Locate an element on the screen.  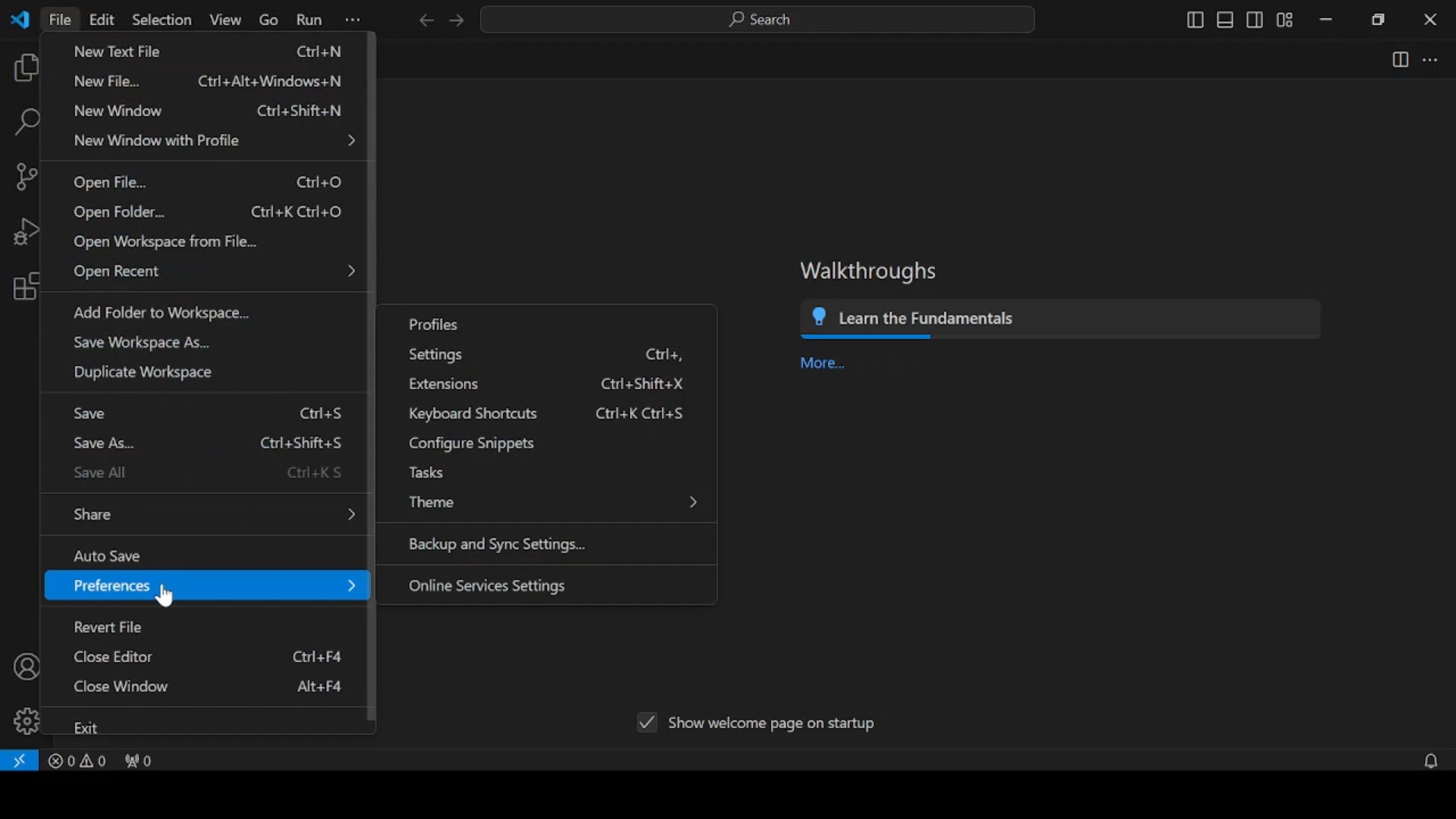
close editor is located at coordinates (116, 657).